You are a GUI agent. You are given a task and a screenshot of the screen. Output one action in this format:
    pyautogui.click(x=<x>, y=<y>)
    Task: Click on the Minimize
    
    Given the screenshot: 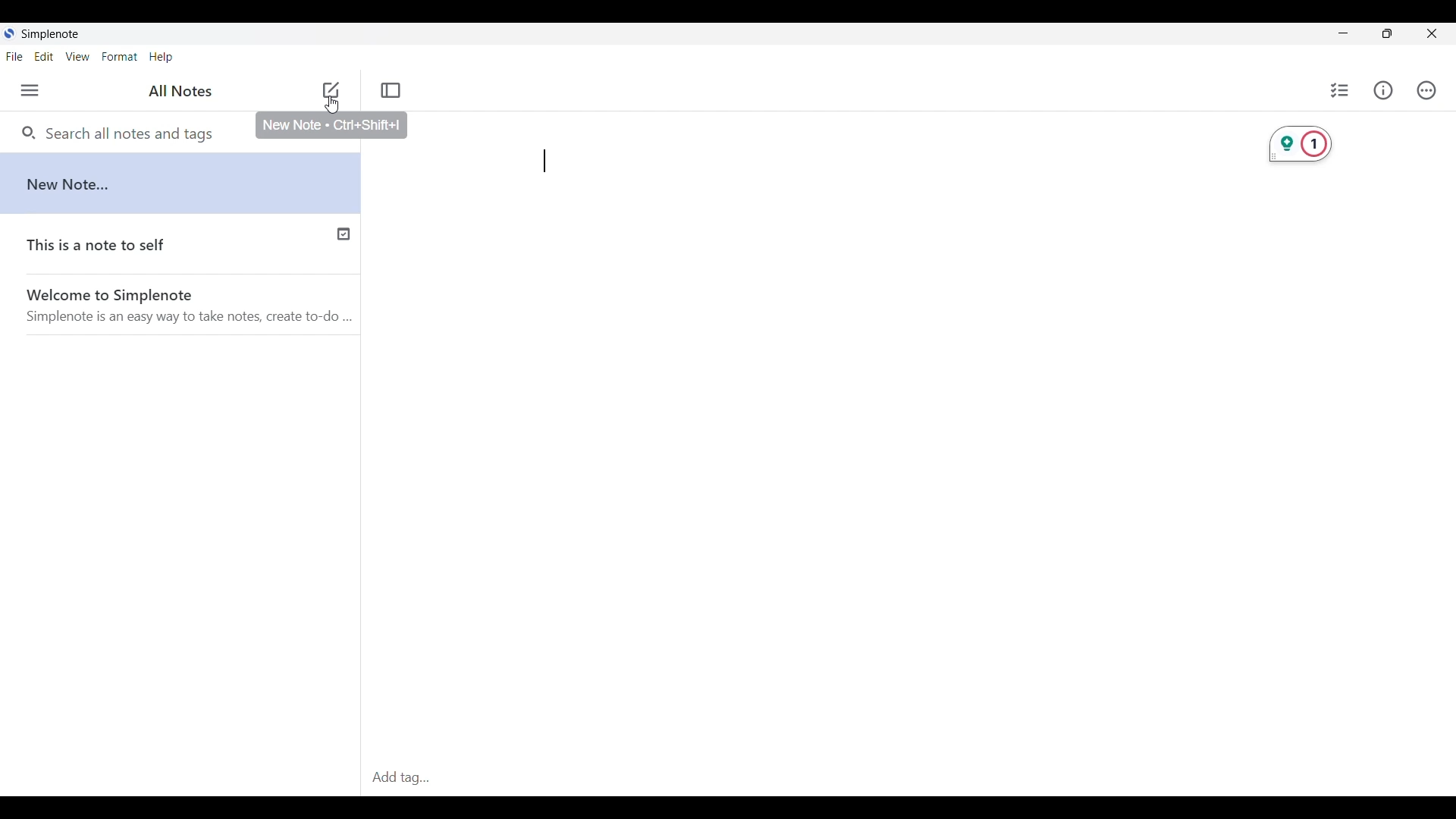 What is the action you would take?
    pyautogui.click(x=1344, y=33)
    